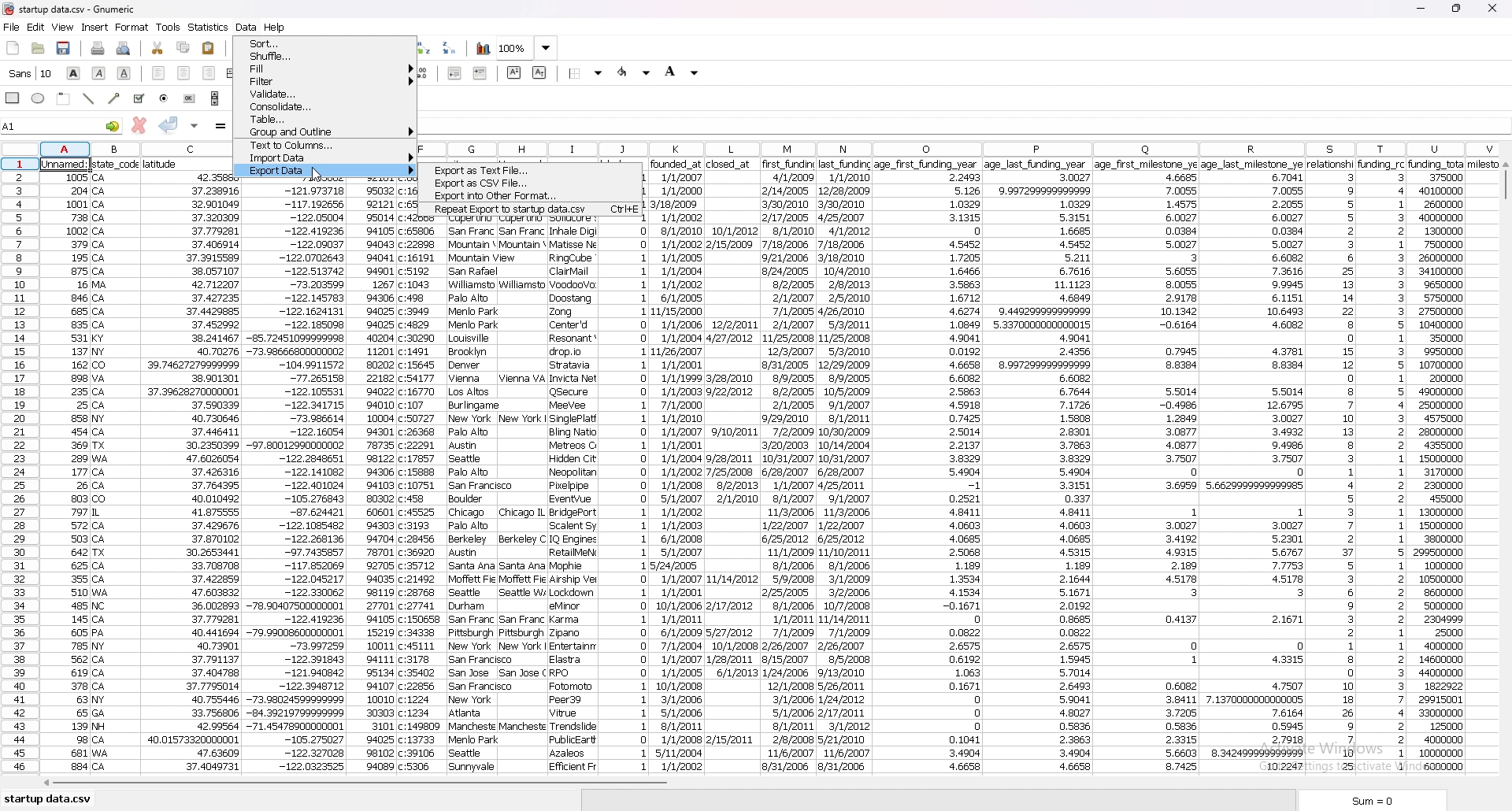  Describe the element at coordinates (39, 49) in the screenshot. I see `open` at that location.